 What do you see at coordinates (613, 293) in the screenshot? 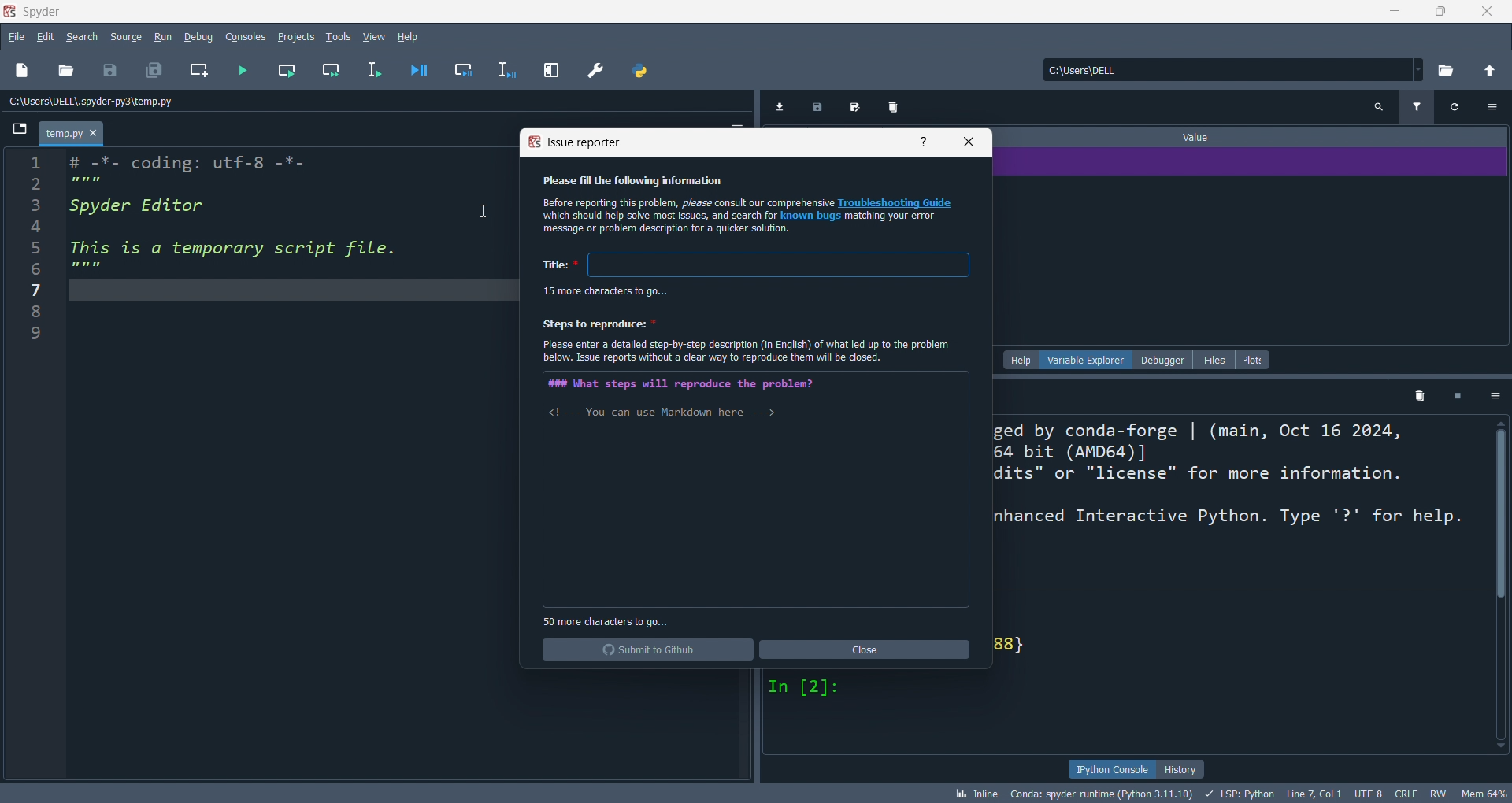
I see `15 more character to go...` at bounding box center [613, 293].